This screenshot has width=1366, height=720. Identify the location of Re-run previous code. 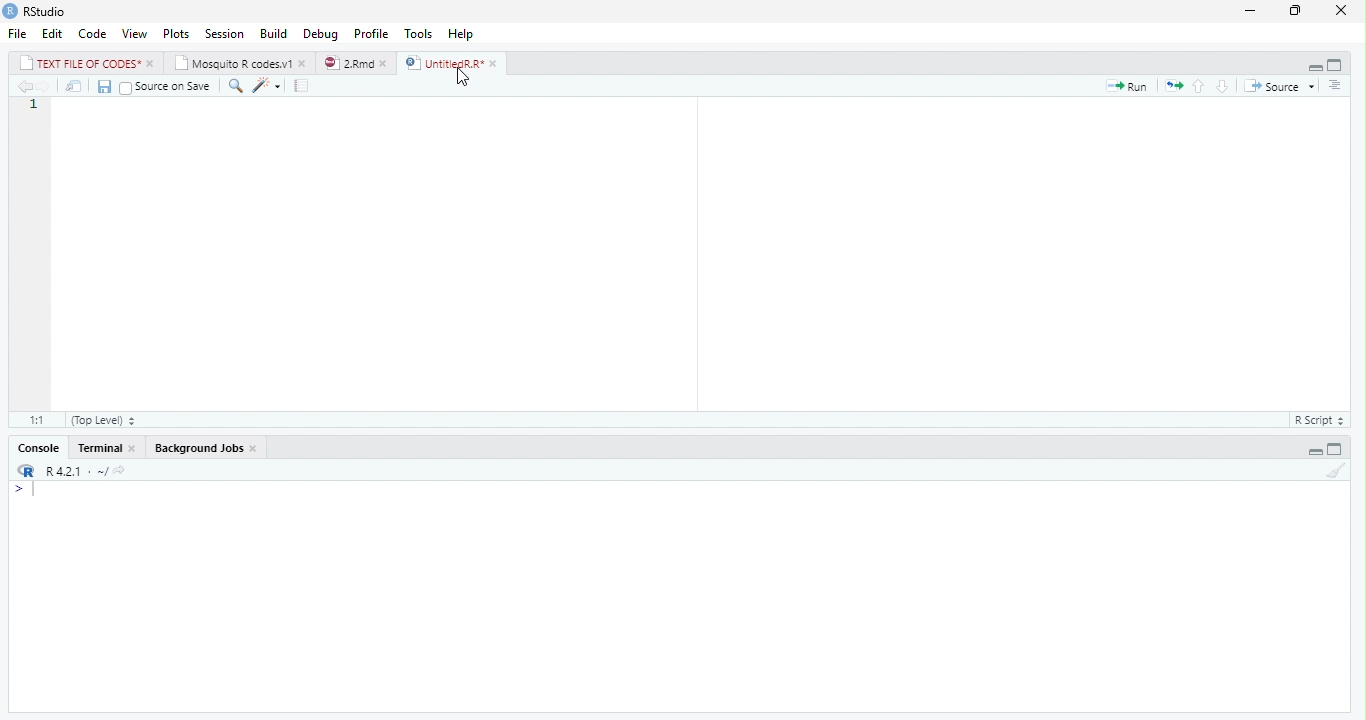
(1173, 85).